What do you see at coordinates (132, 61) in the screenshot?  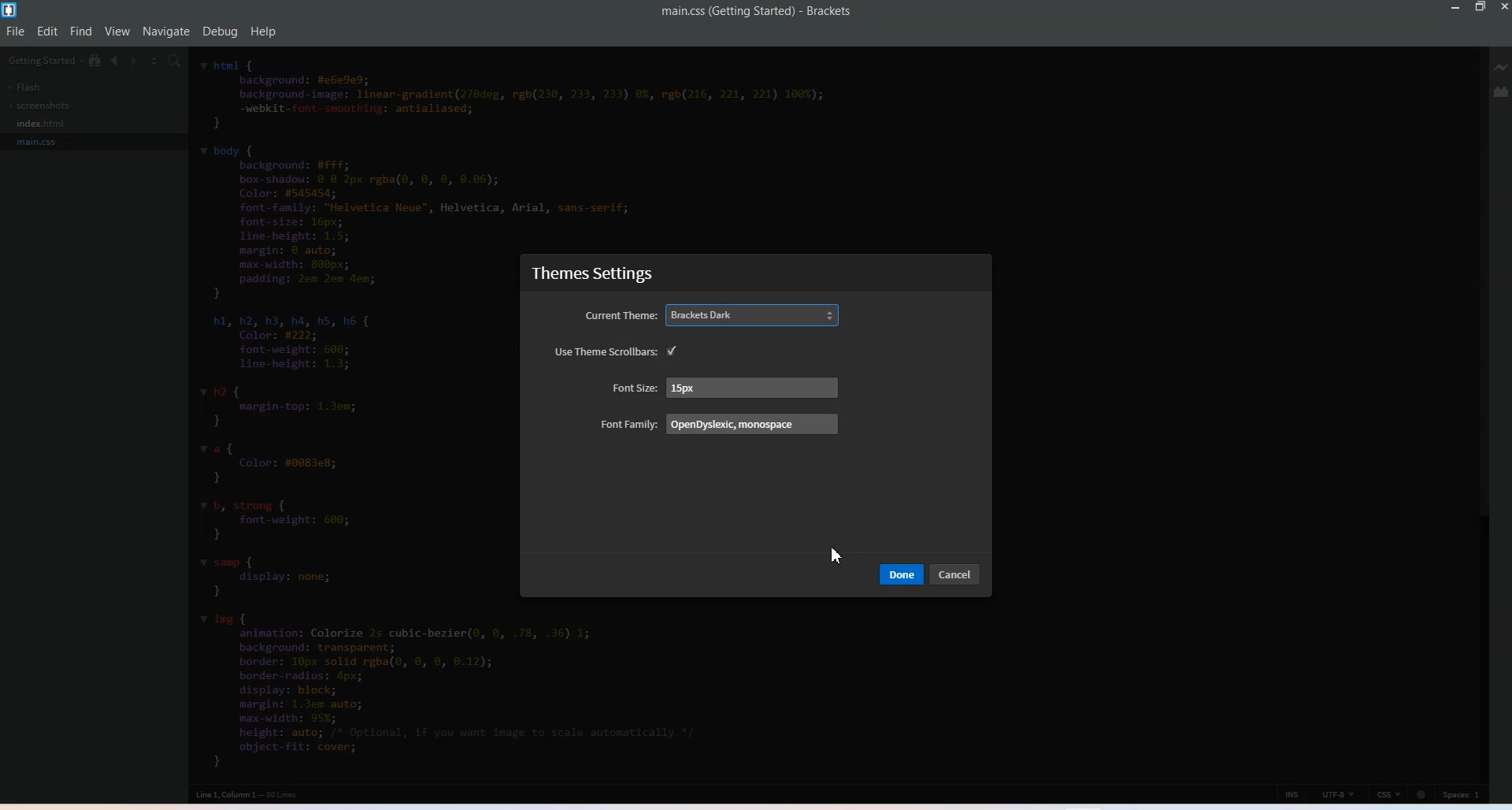 I see `Navigate Forwards` at bounding box center [132, 61].